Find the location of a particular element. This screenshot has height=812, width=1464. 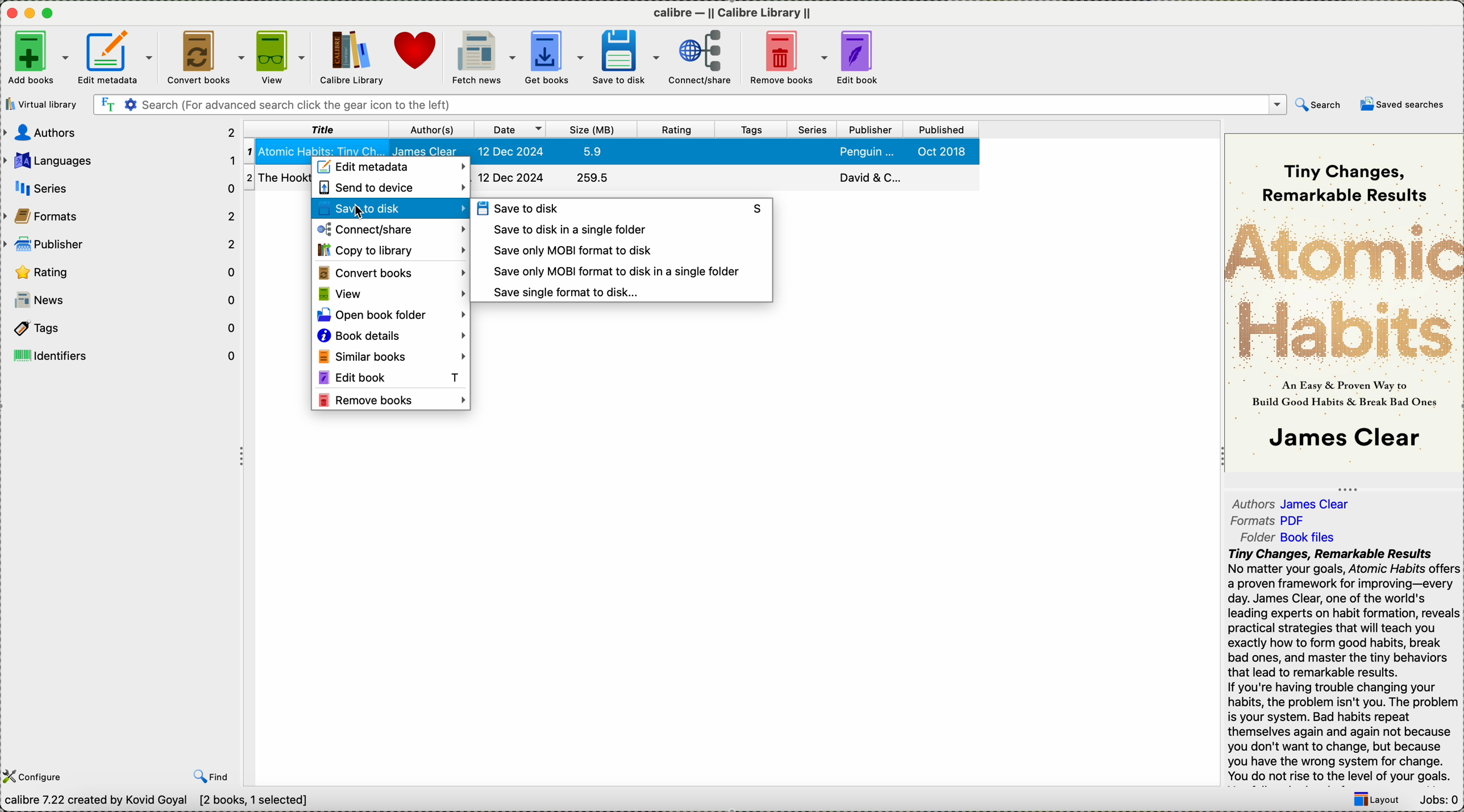

publisher is located at coordinates (870, 130).